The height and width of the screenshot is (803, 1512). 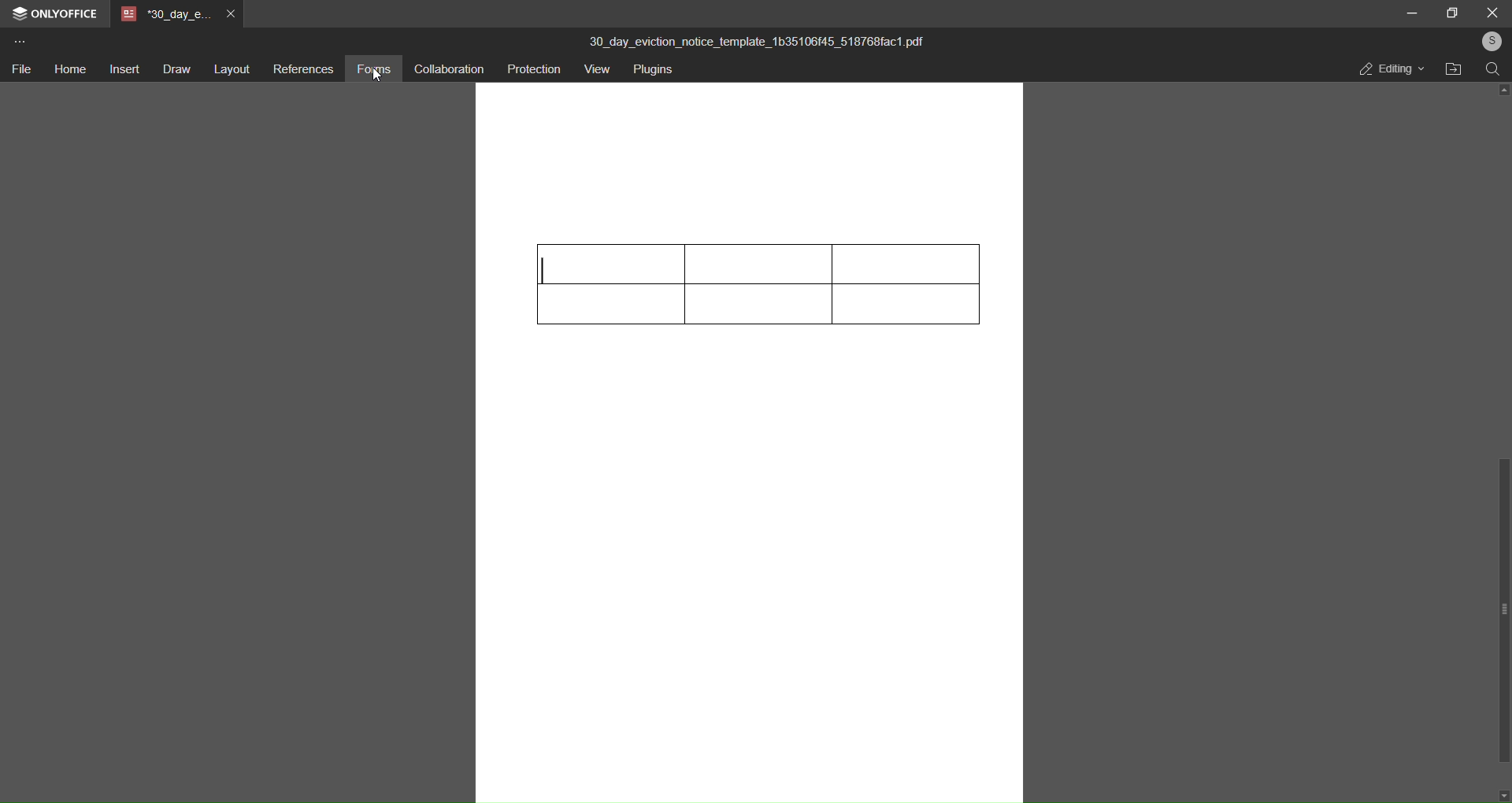 What do you see at coordinates (1414, 14) in the screenshot?
I see `minimize` at bounding box center [1414, 14].